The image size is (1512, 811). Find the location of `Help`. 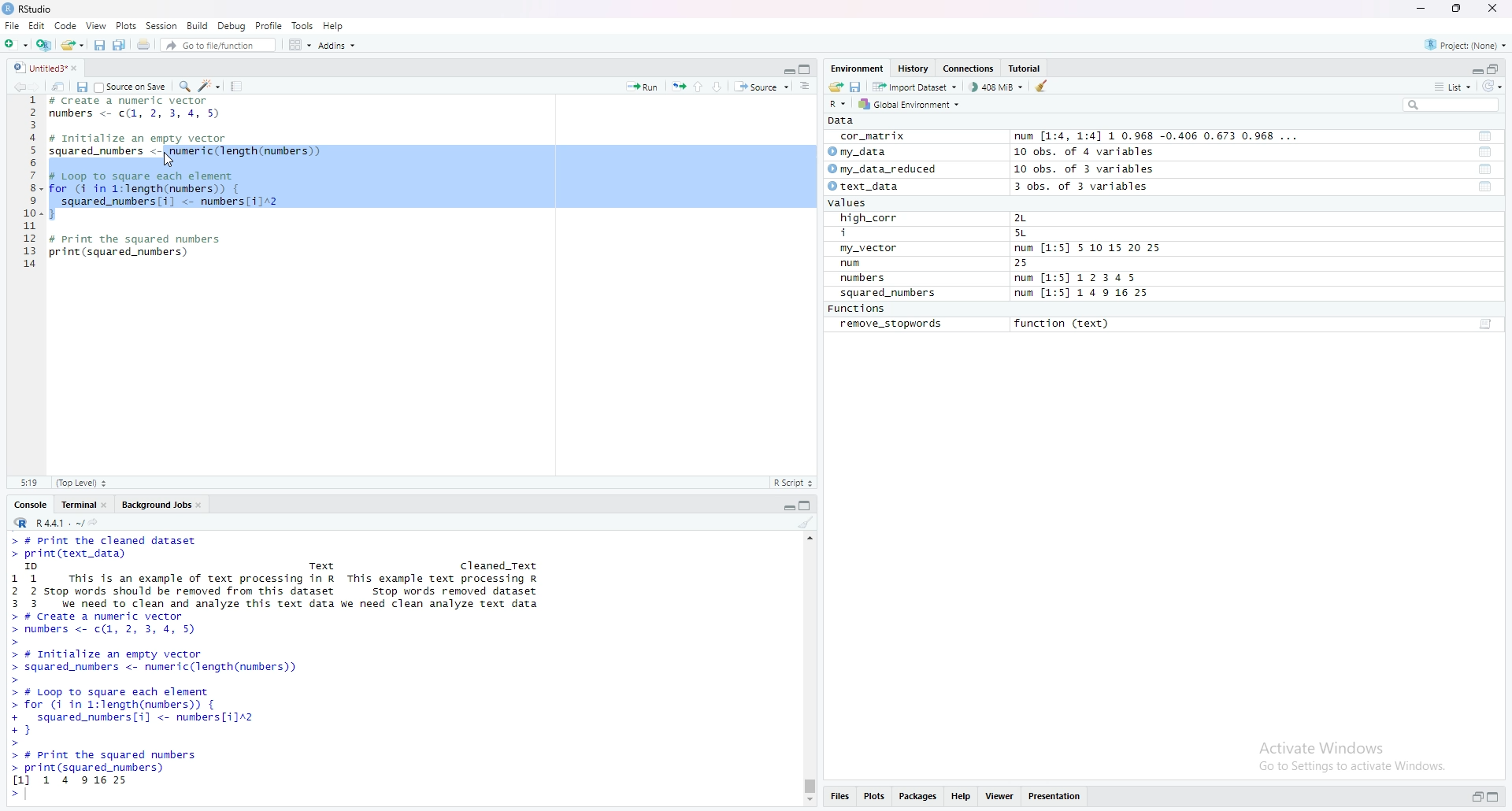

Help is located at coordinates (962, 798).